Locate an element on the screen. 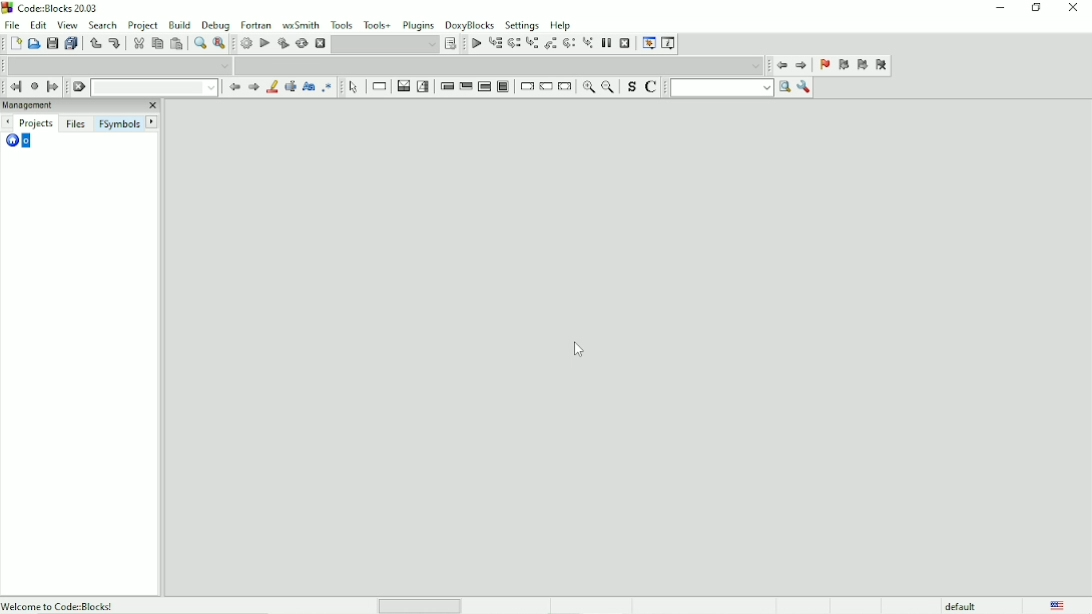  Toggle comments is located at coordinates (653, 87).